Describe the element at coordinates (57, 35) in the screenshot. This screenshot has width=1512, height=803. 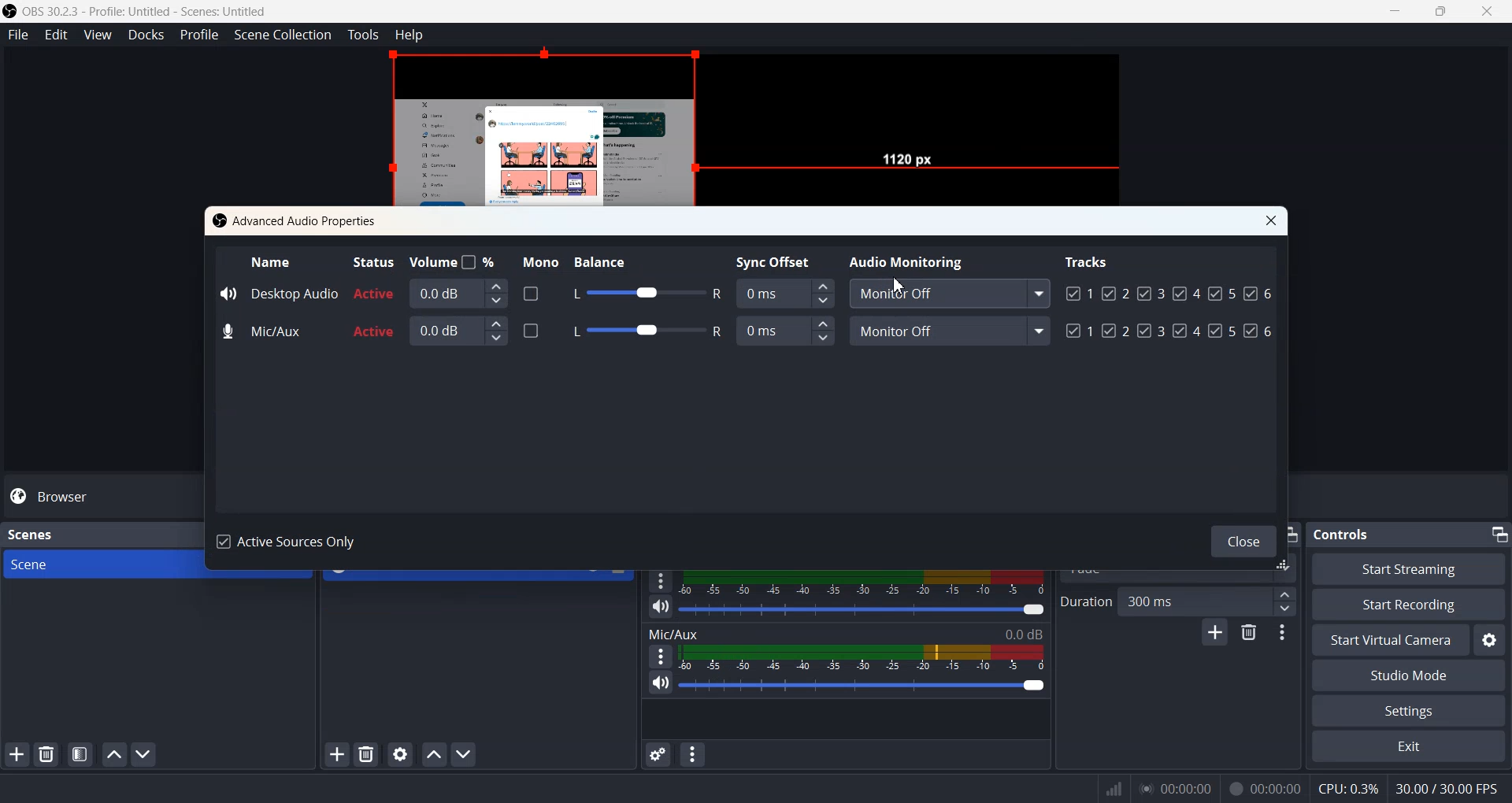
I see `Edit` at that location.